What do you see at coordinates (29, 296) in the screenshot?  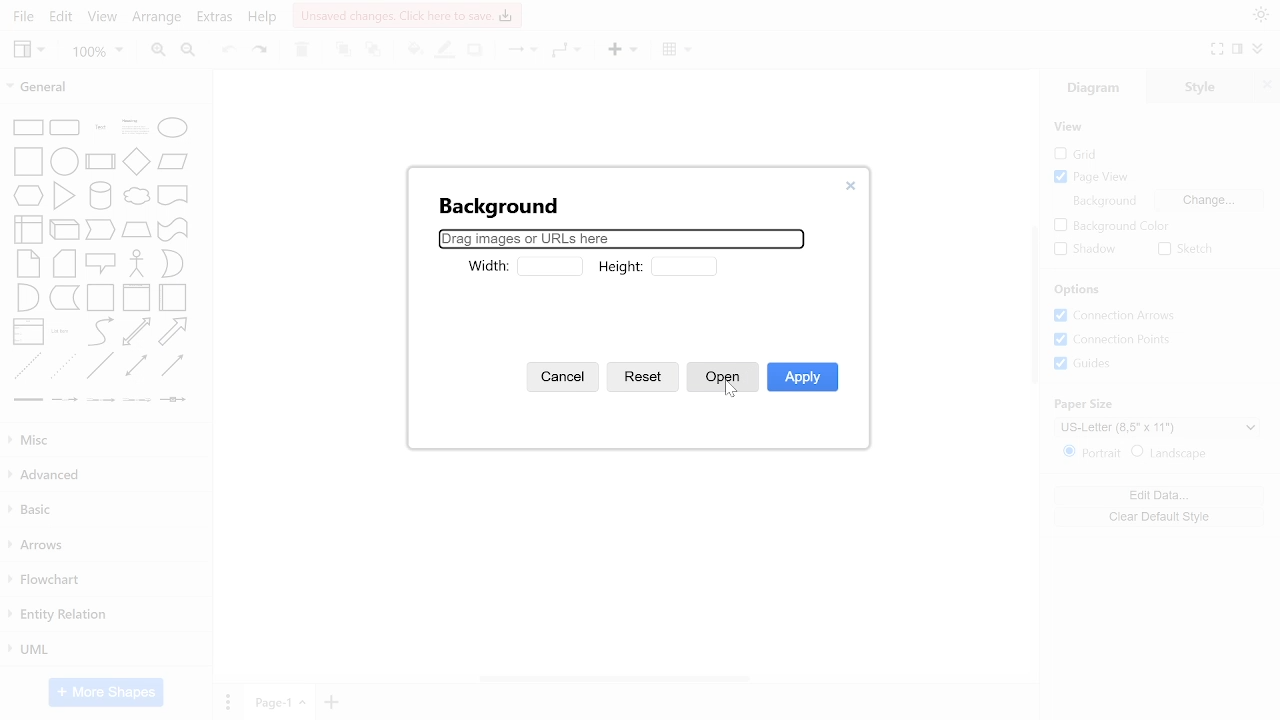 I see `general shapes` at bounding box center [29, 296].